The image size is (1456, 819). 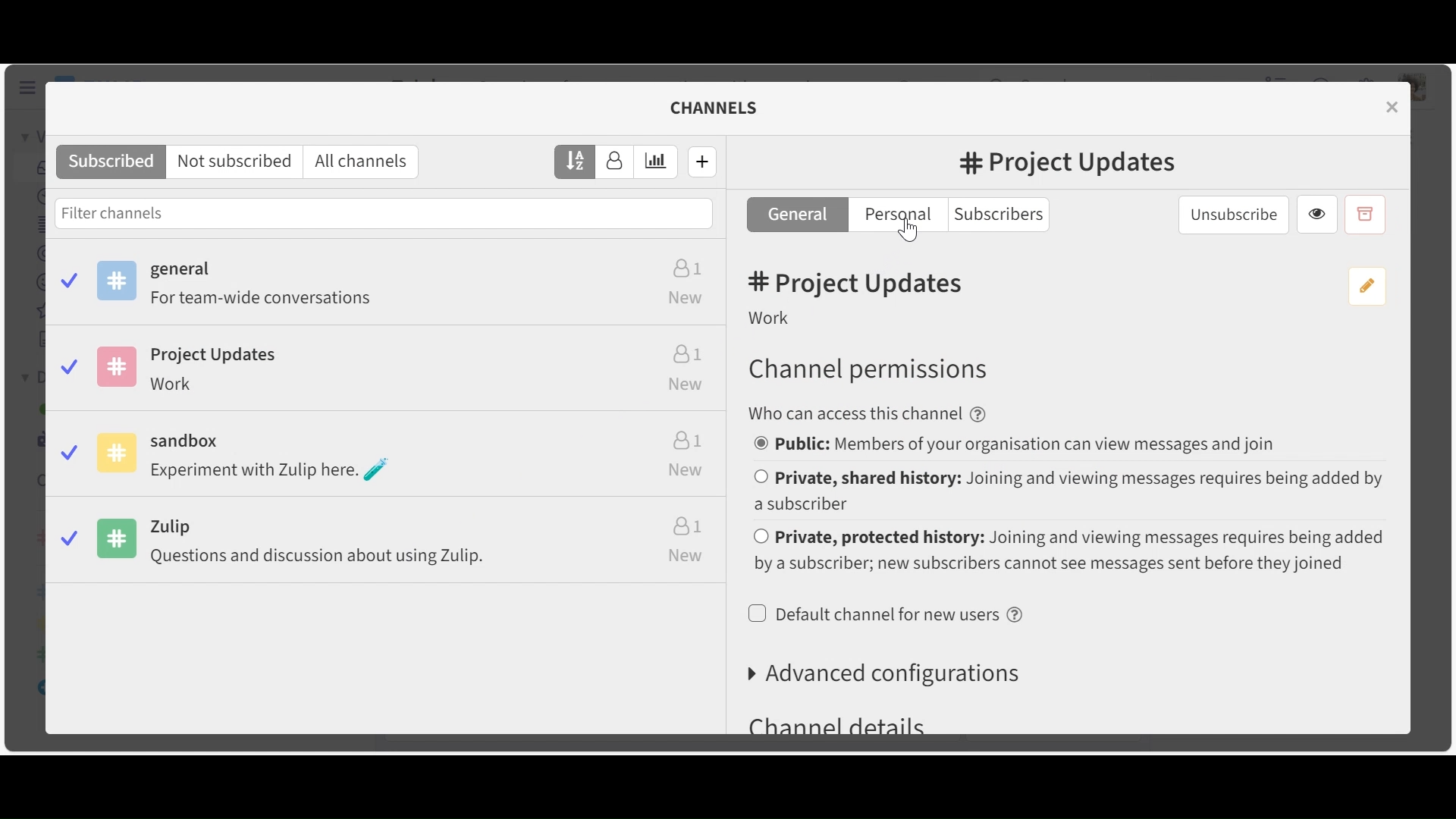 I want to click on Sort by name, so click(x=576, y=161).